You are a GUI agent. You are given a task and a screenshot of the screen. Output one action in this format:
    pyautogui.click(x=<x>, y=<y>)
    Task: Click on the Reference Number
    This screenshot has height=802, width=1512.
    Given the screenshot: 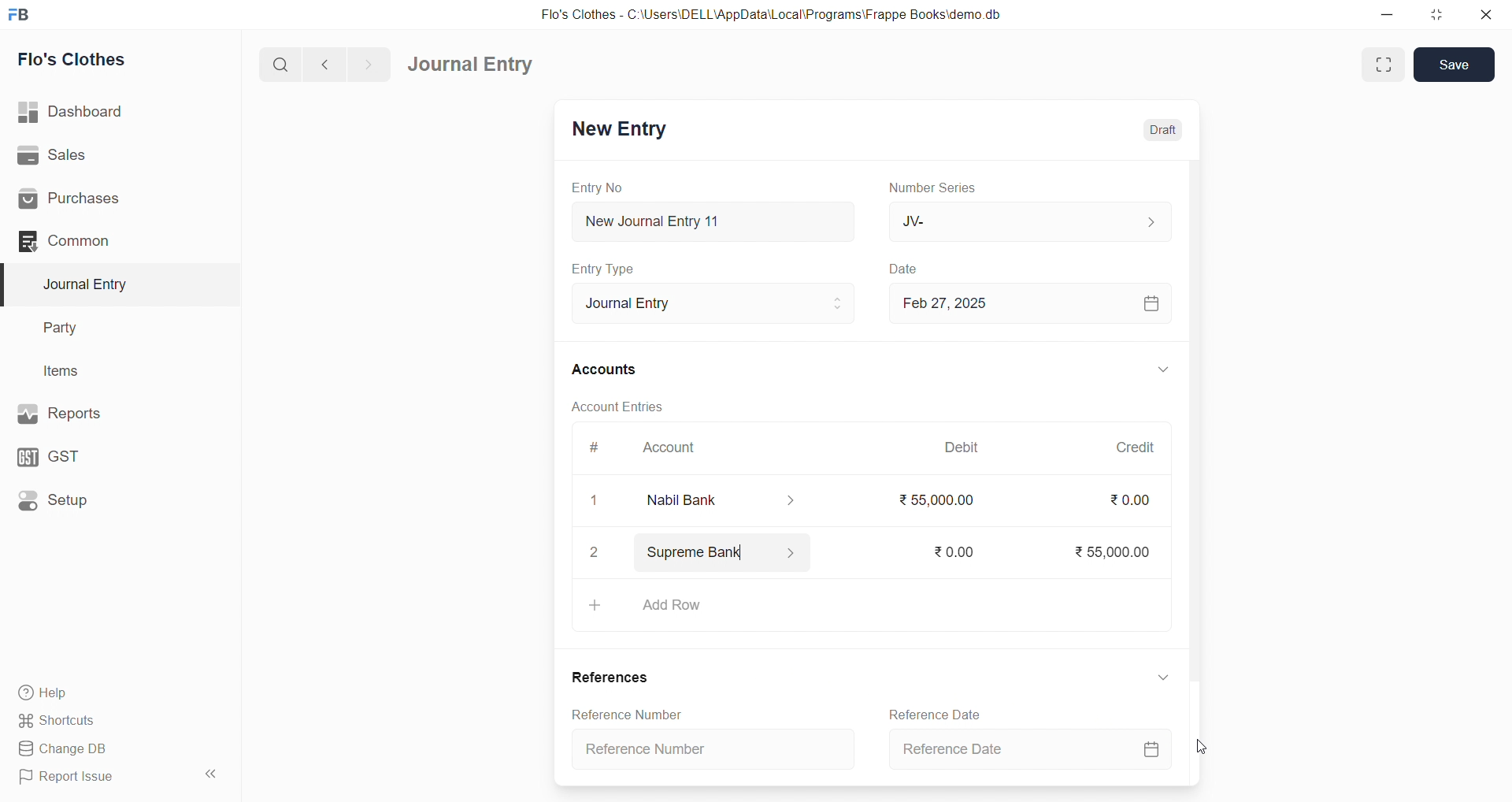 What is the action you would take?
    pyautogui.click(x=713, y=747)
    